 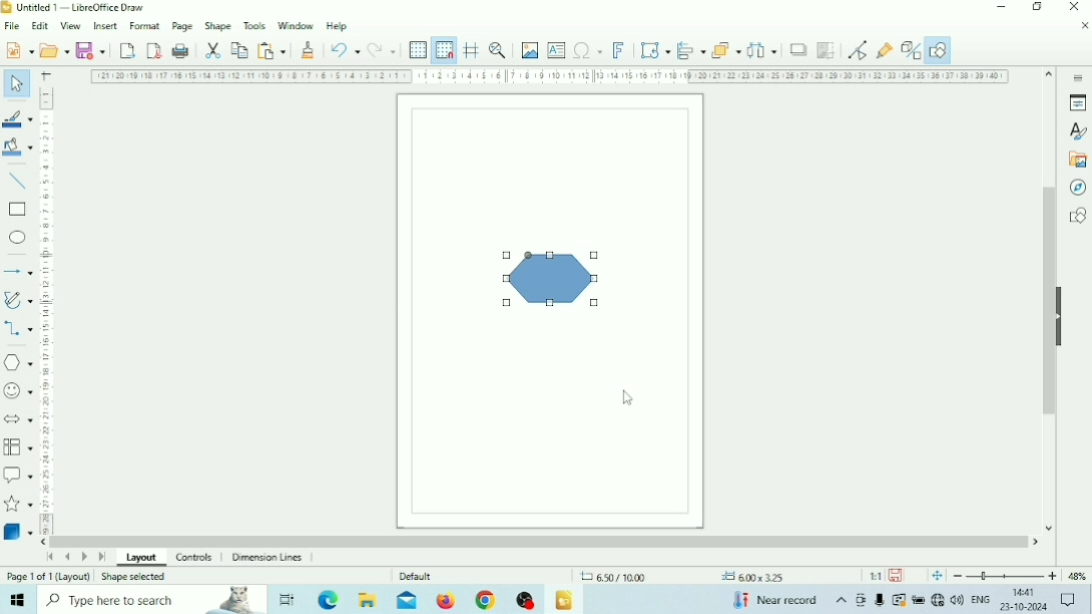 I want to click on Dimension Lines, so click(x=270, y=558).